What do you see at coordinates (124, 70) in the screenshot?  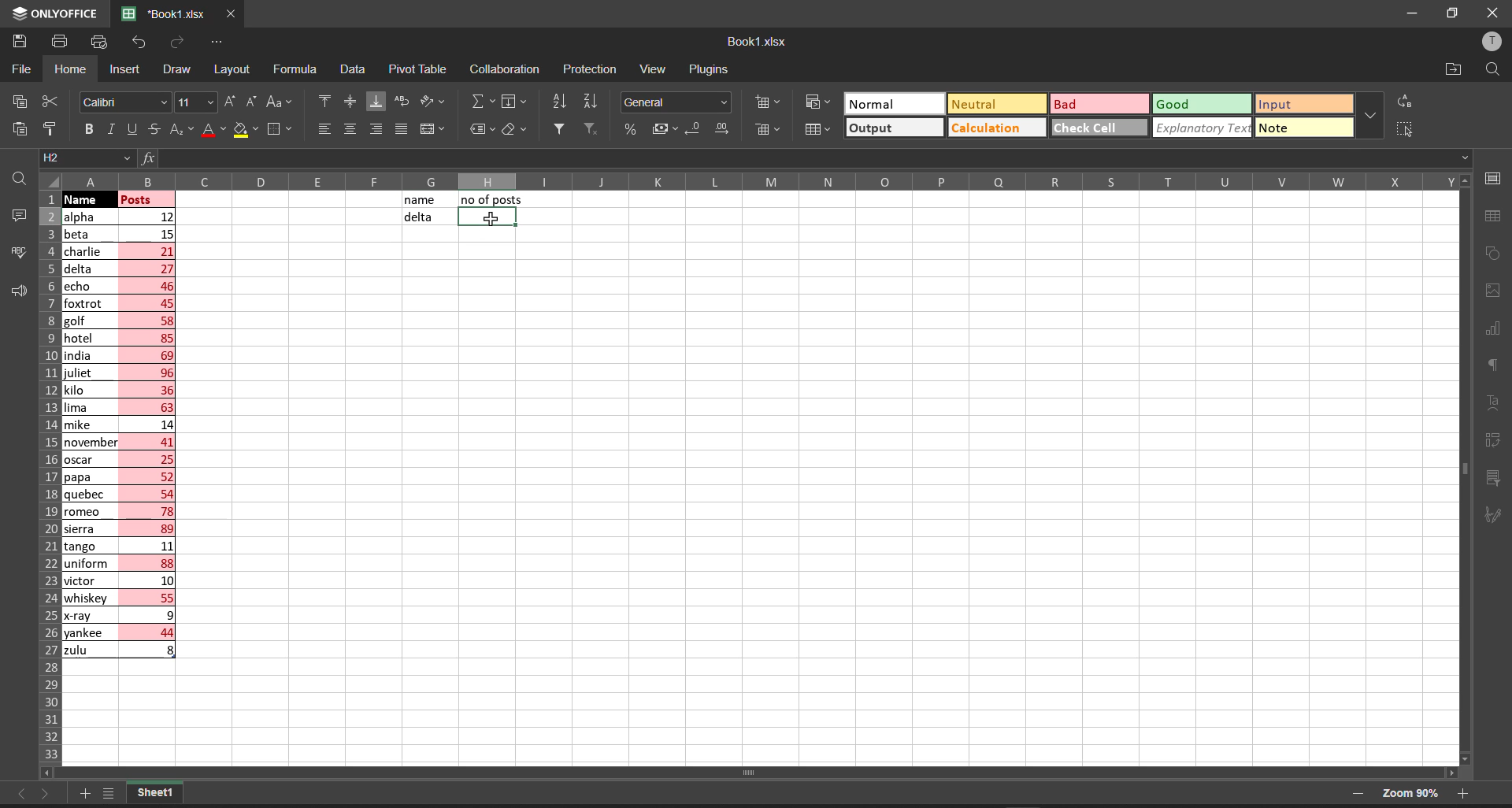 I see `insert` at bounding box center [124, 70].